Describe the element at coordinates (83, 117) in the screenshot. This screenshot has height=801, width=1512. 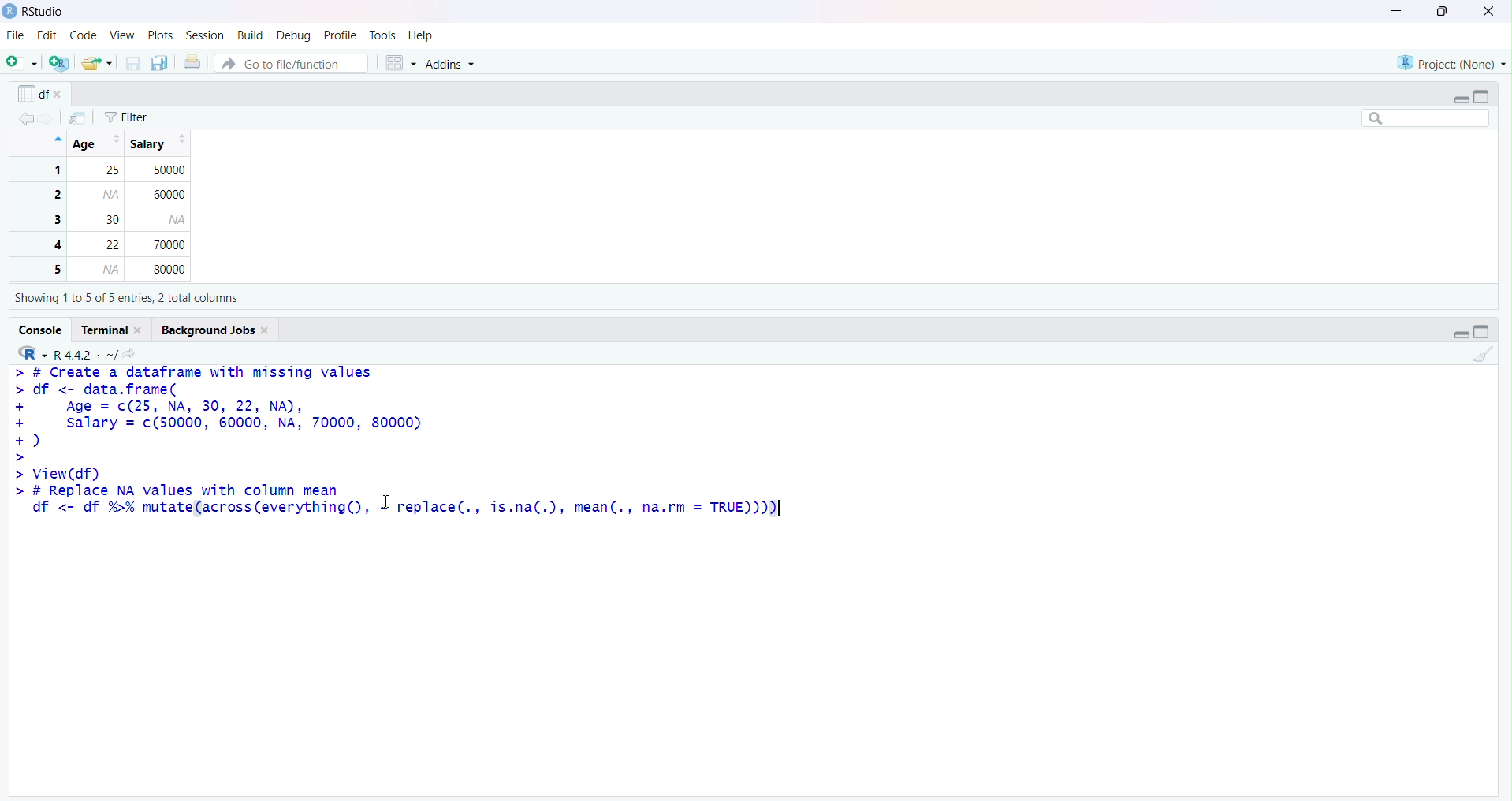
I see `Show in new window` at that location.